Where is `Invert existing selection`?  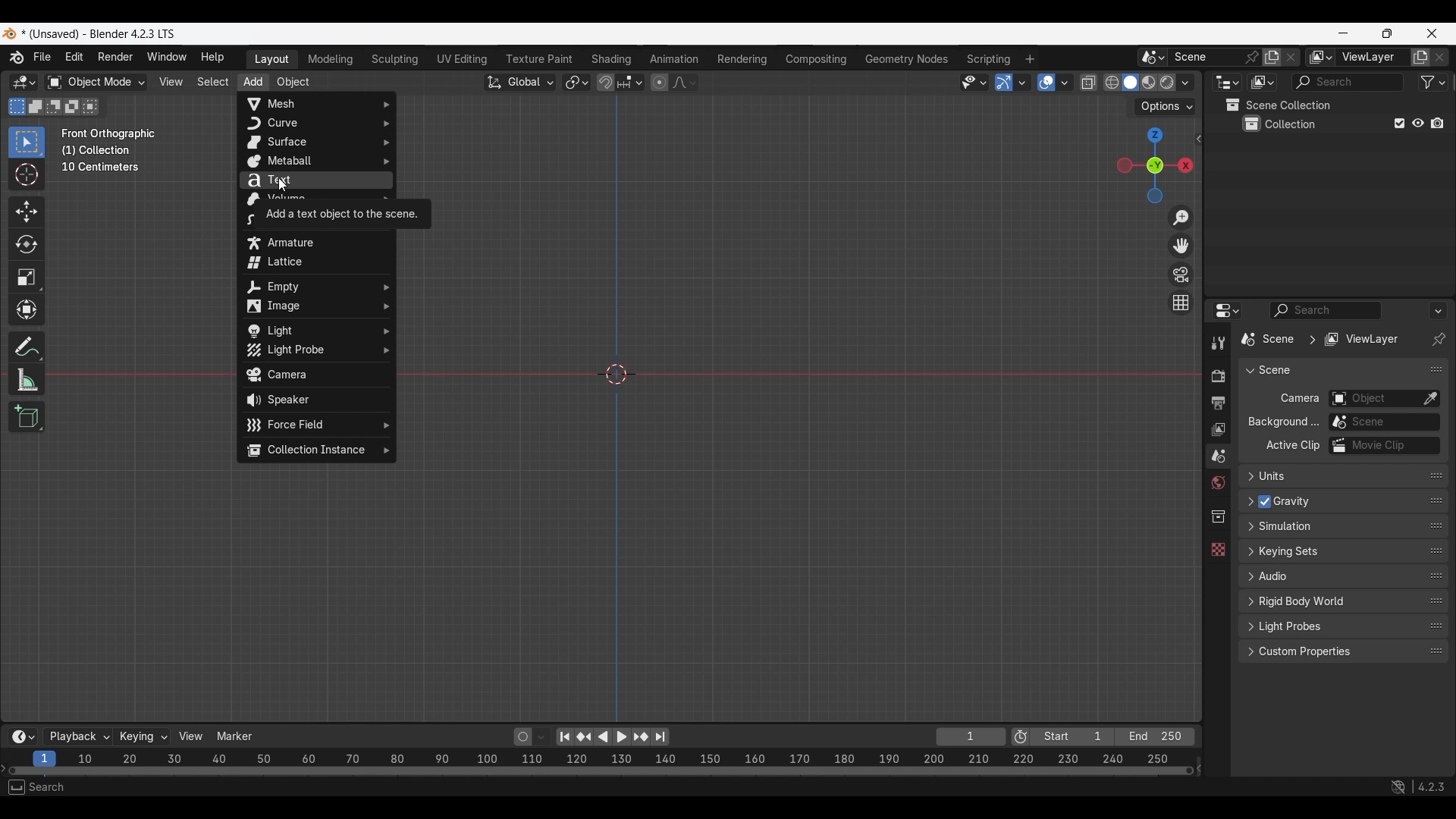 Invert existing selection is located at coordinates (72, 107).